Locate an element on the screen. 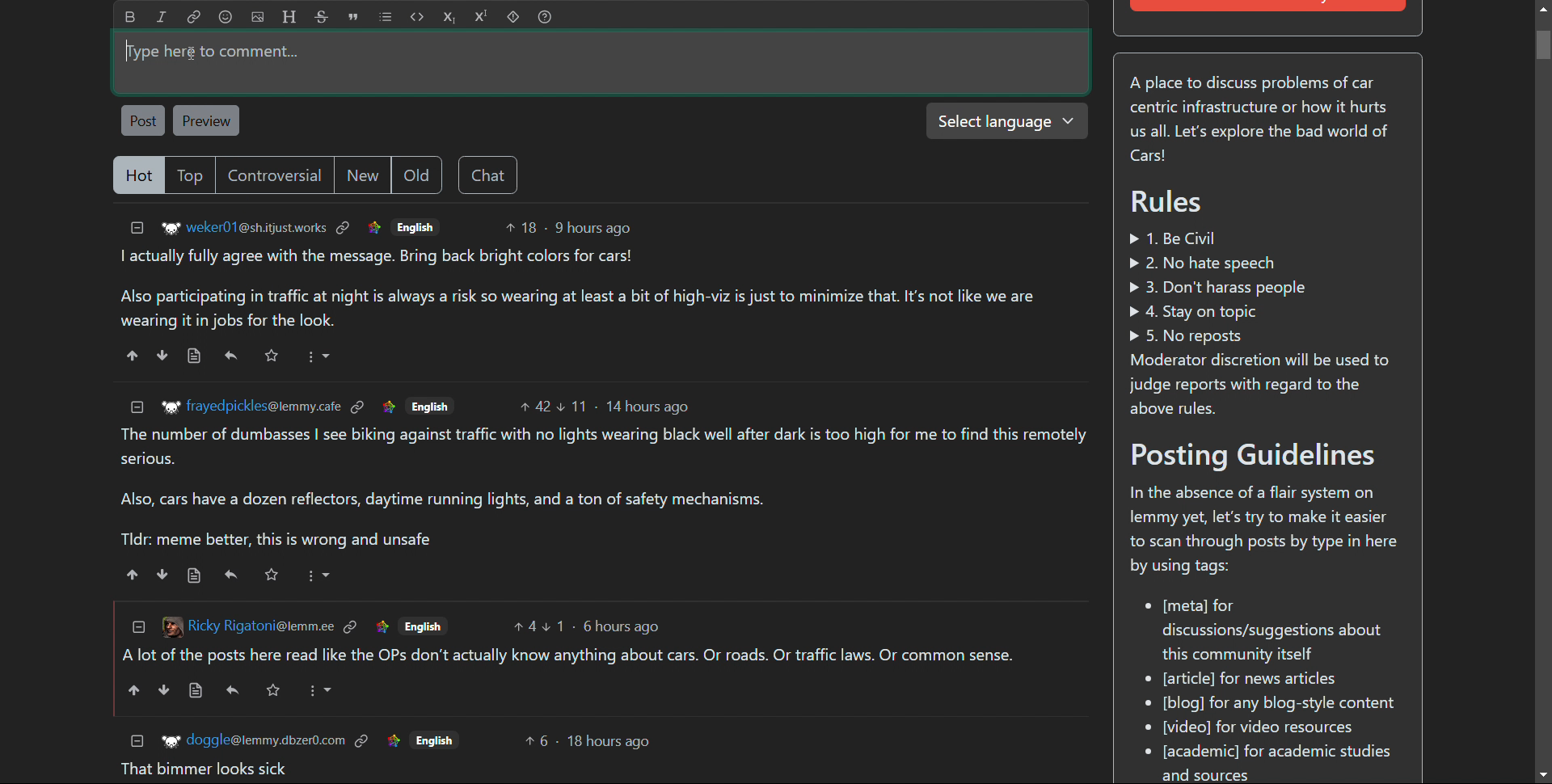  italic is located at coordinates (162, 18).